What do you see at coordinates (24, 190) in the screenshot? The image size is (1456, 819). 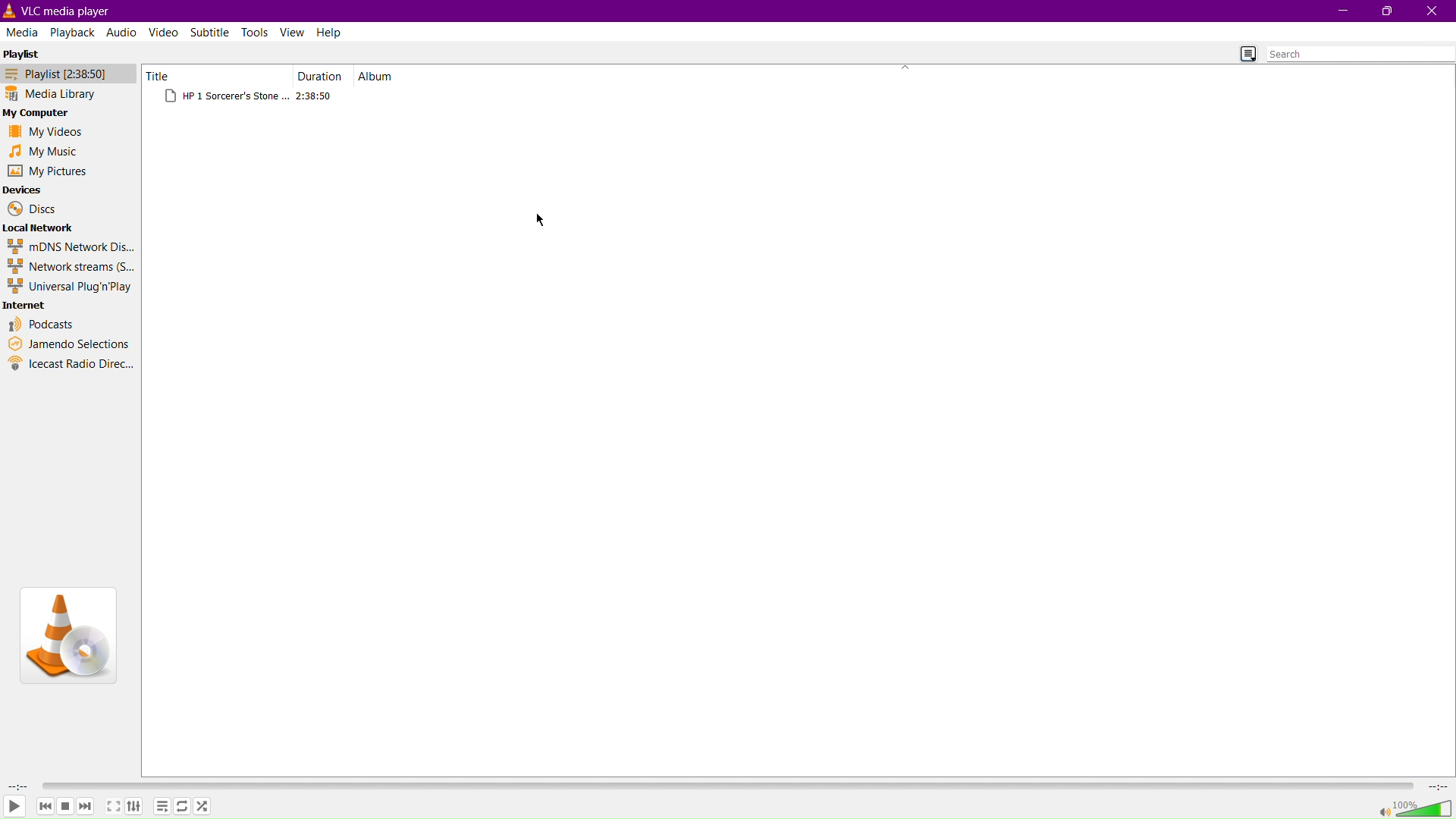 I see `Devices` at bounding box center [24, 190].